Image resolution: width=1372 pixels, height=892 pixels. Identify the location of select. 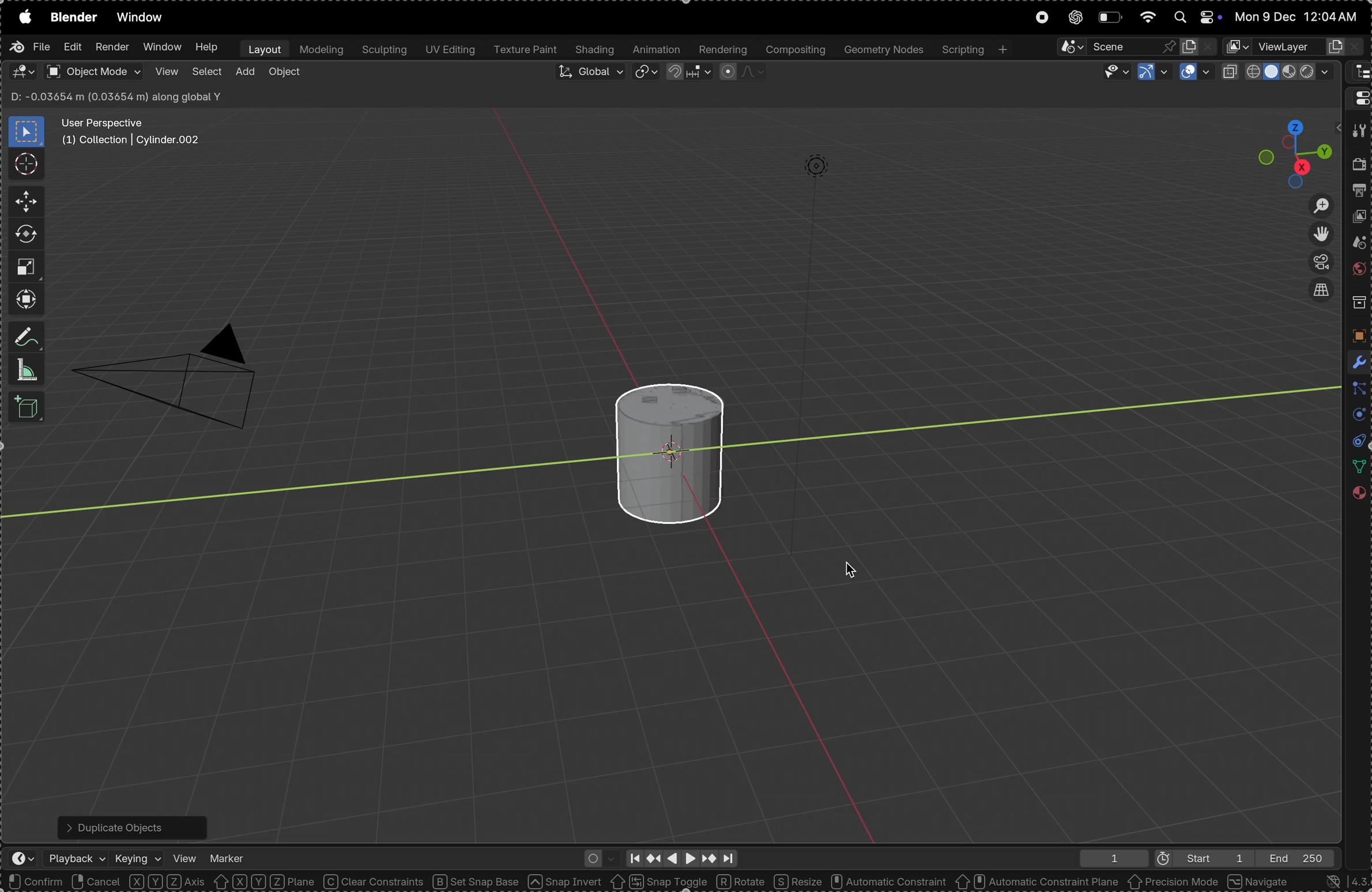
(206, 74).